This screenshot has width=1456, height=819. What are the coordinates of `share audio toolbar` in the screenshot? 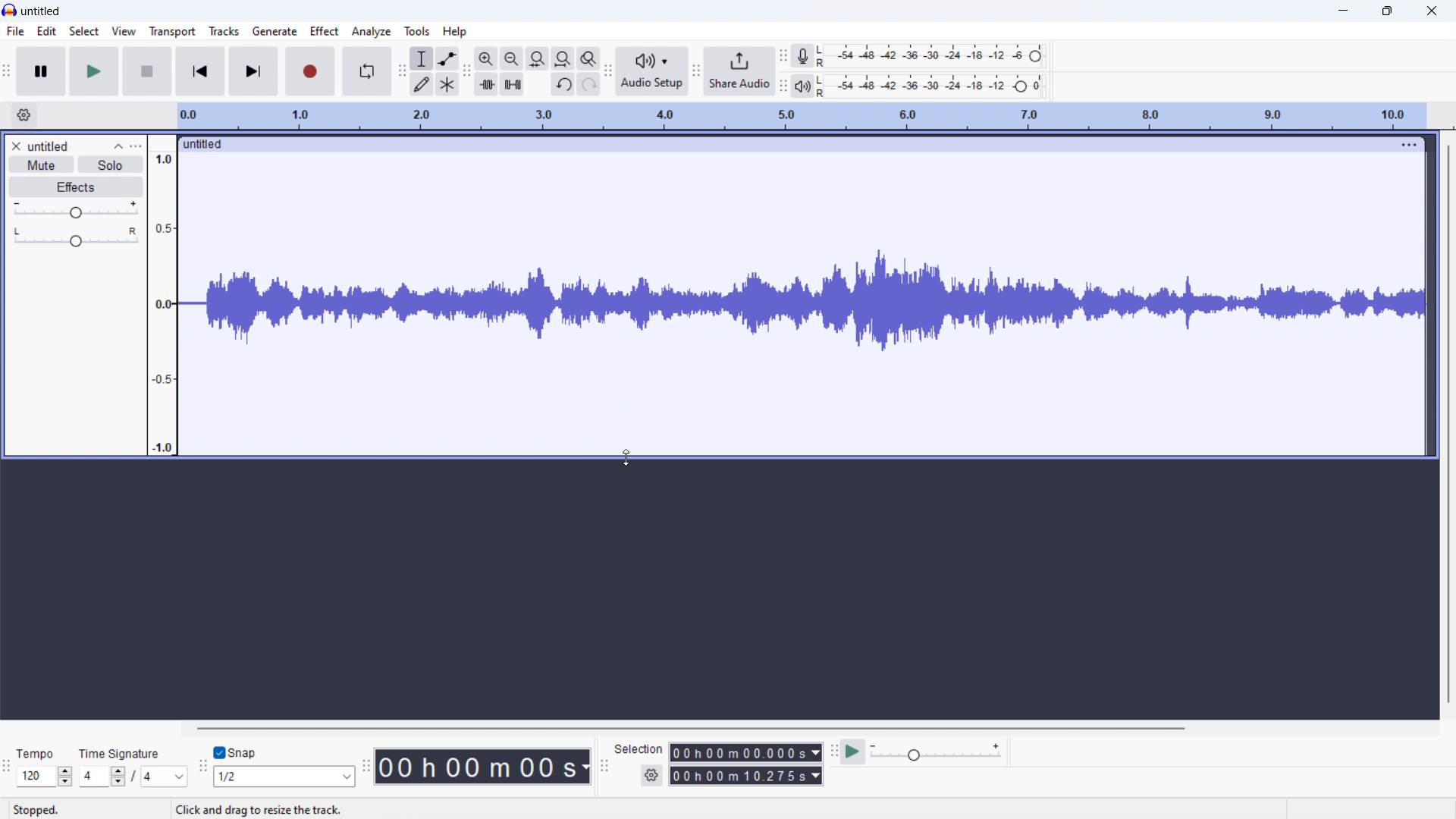 It's located at (608, 74).